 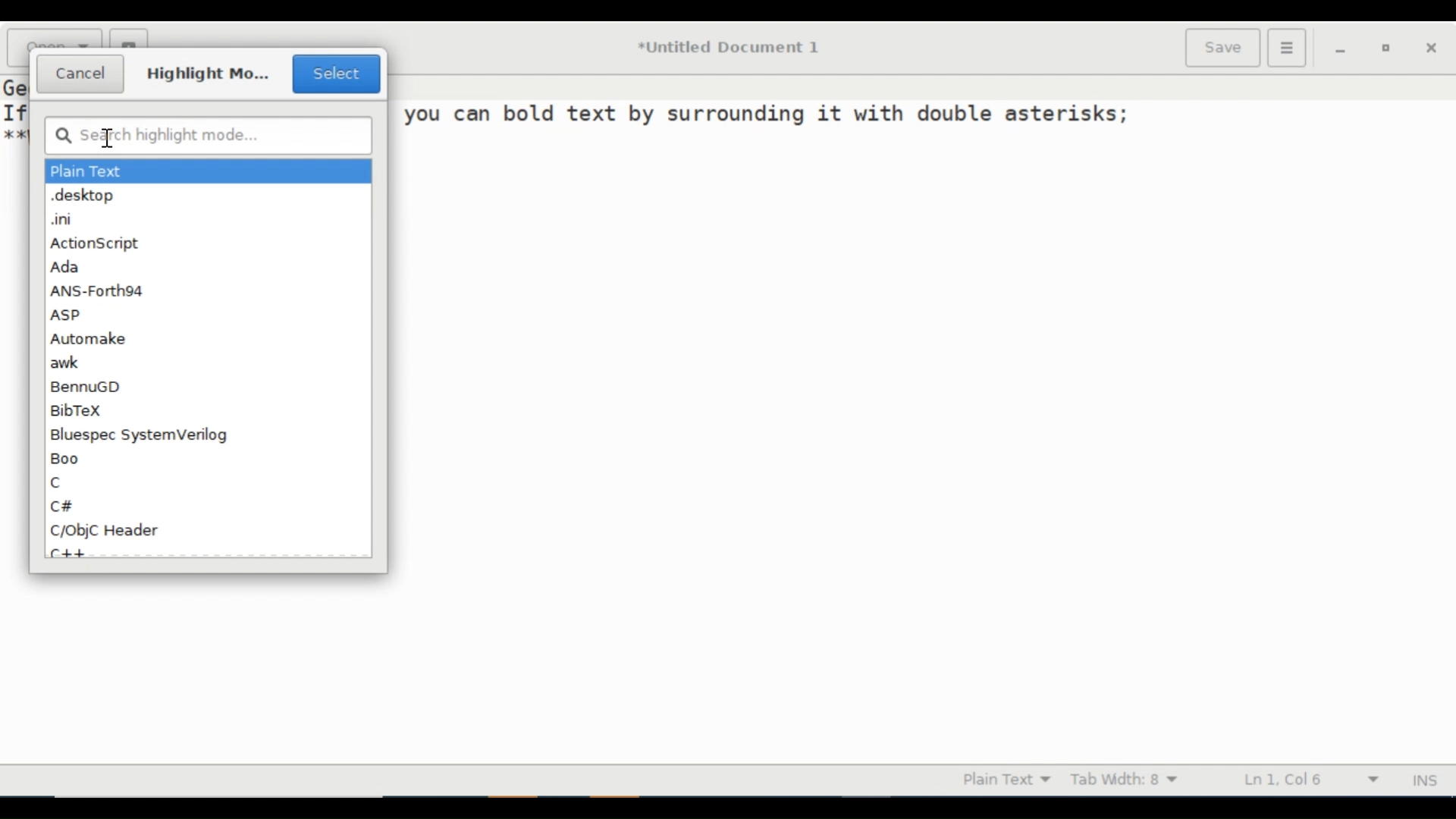 I want to click on Bluespec SystemVerilog, so click(x=140, y=436).